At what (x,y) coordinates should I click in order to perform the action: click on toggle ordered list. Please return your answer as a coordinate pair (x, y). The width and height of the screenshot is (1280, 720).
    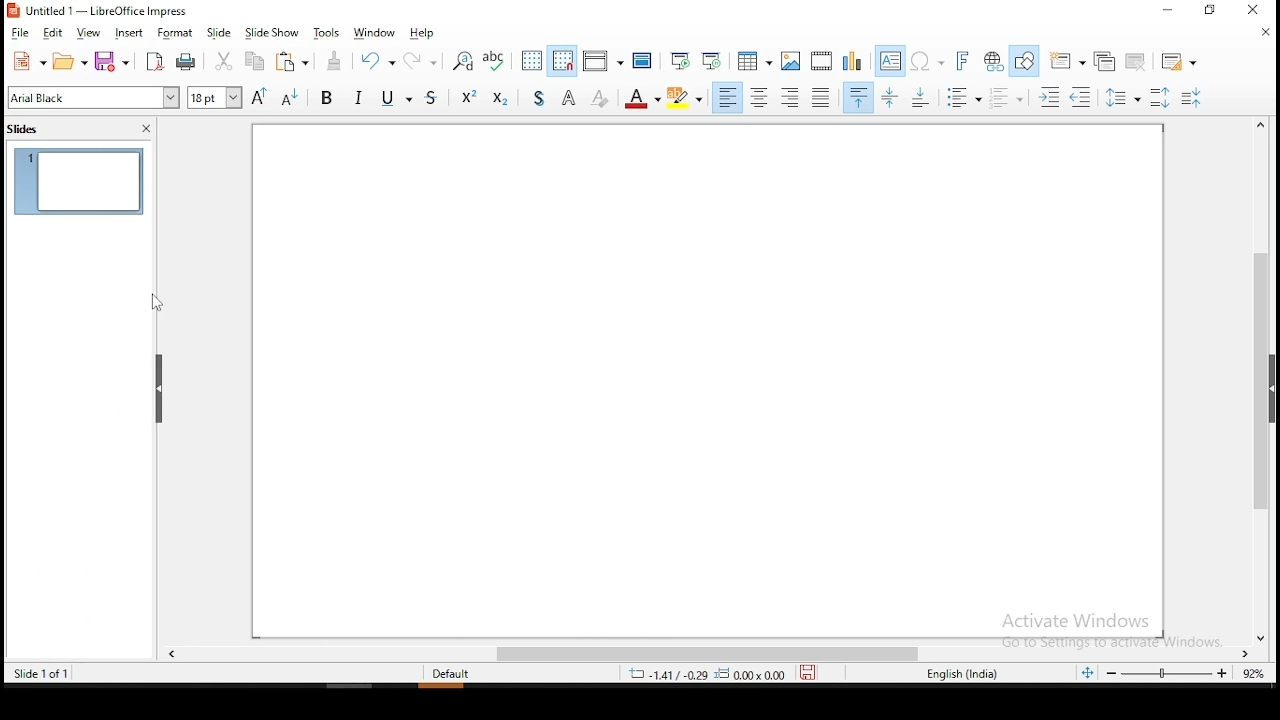
    Looking at the image, I should click on (1191, 97).